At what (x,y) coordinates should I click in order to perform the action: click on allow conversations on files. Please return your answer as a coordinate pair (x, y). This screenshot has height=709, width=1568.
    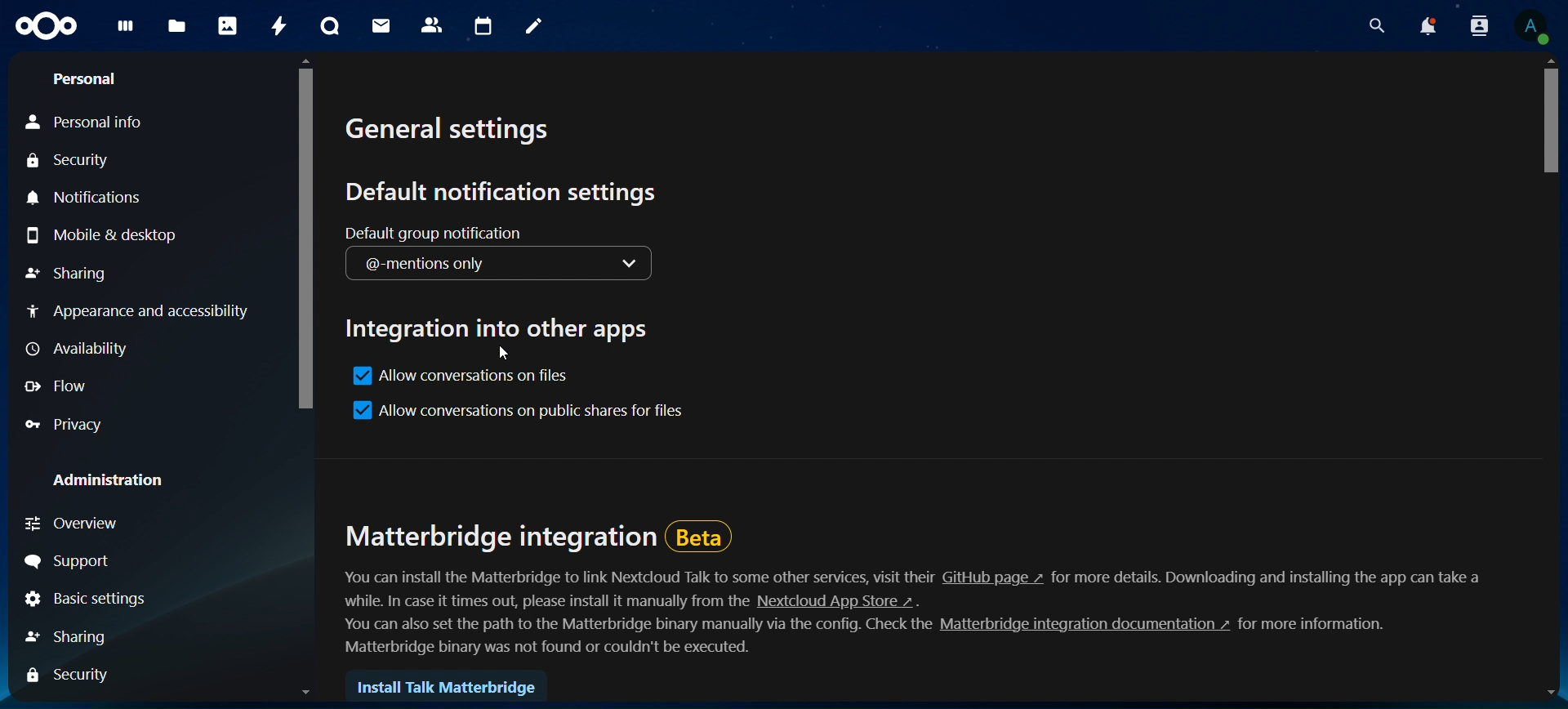
    Looking at the image, I should click on (461, 377).